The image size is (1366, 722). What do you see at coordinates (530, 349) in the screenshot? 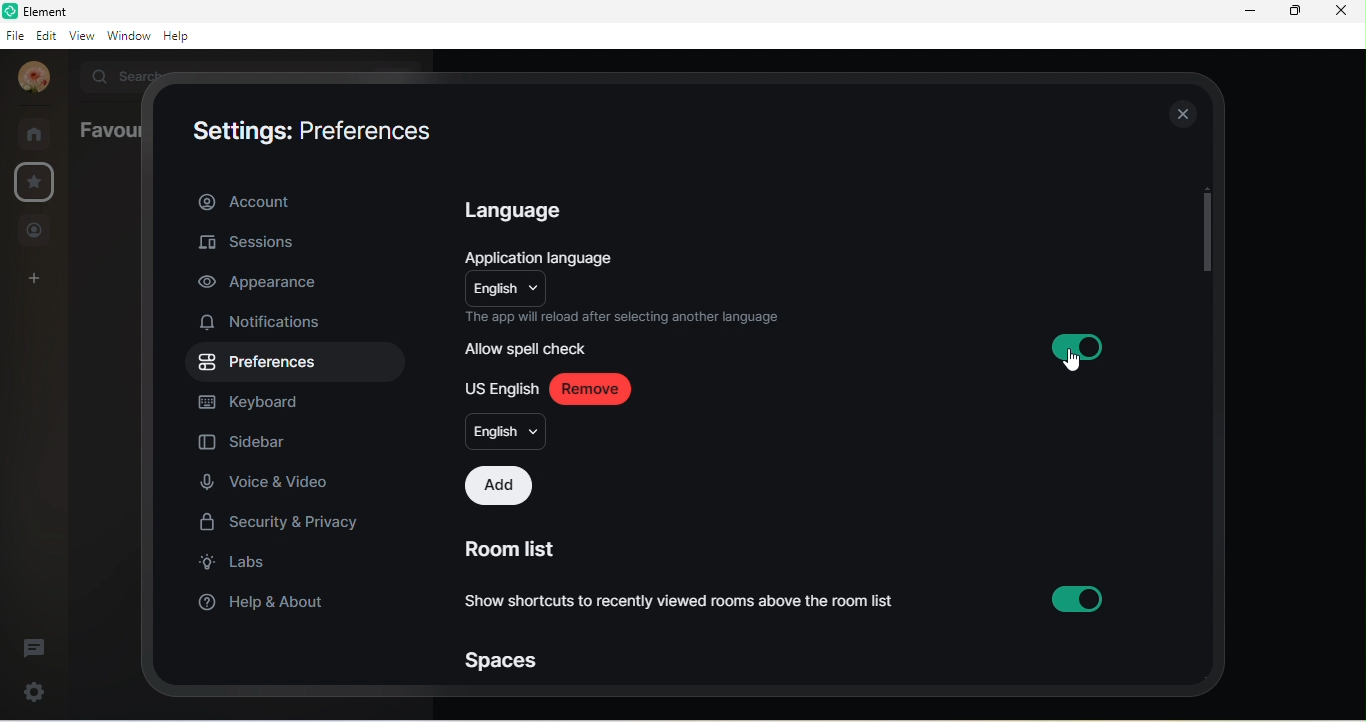
I see `allow spell check` at bounding box center [530, 349].